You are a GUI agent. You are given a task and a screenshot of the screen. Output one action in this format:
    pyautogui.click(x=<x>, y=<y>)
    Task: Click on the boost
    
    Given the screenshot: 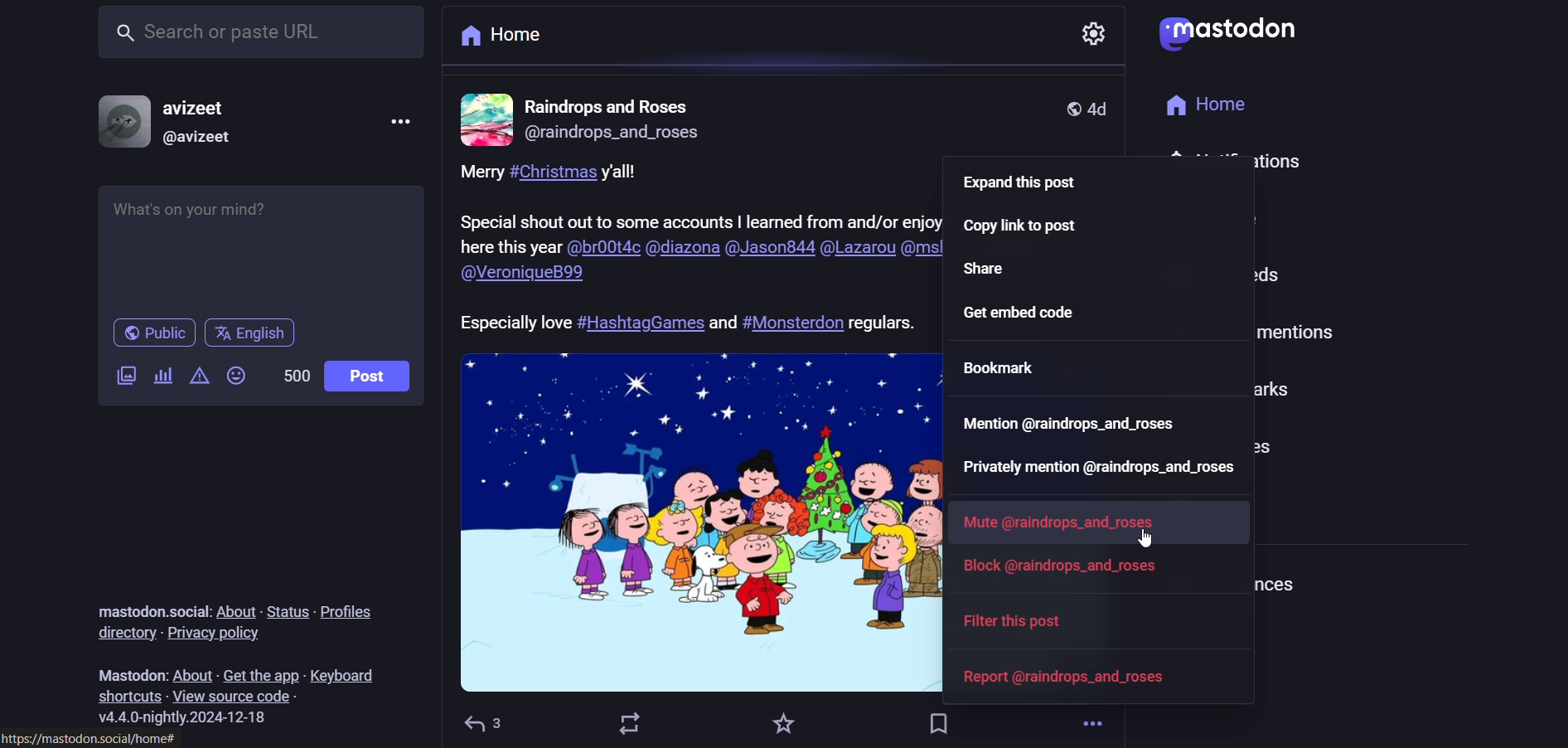 What is the action you would take?
    pyautogui.click(x=634, y=724)
    